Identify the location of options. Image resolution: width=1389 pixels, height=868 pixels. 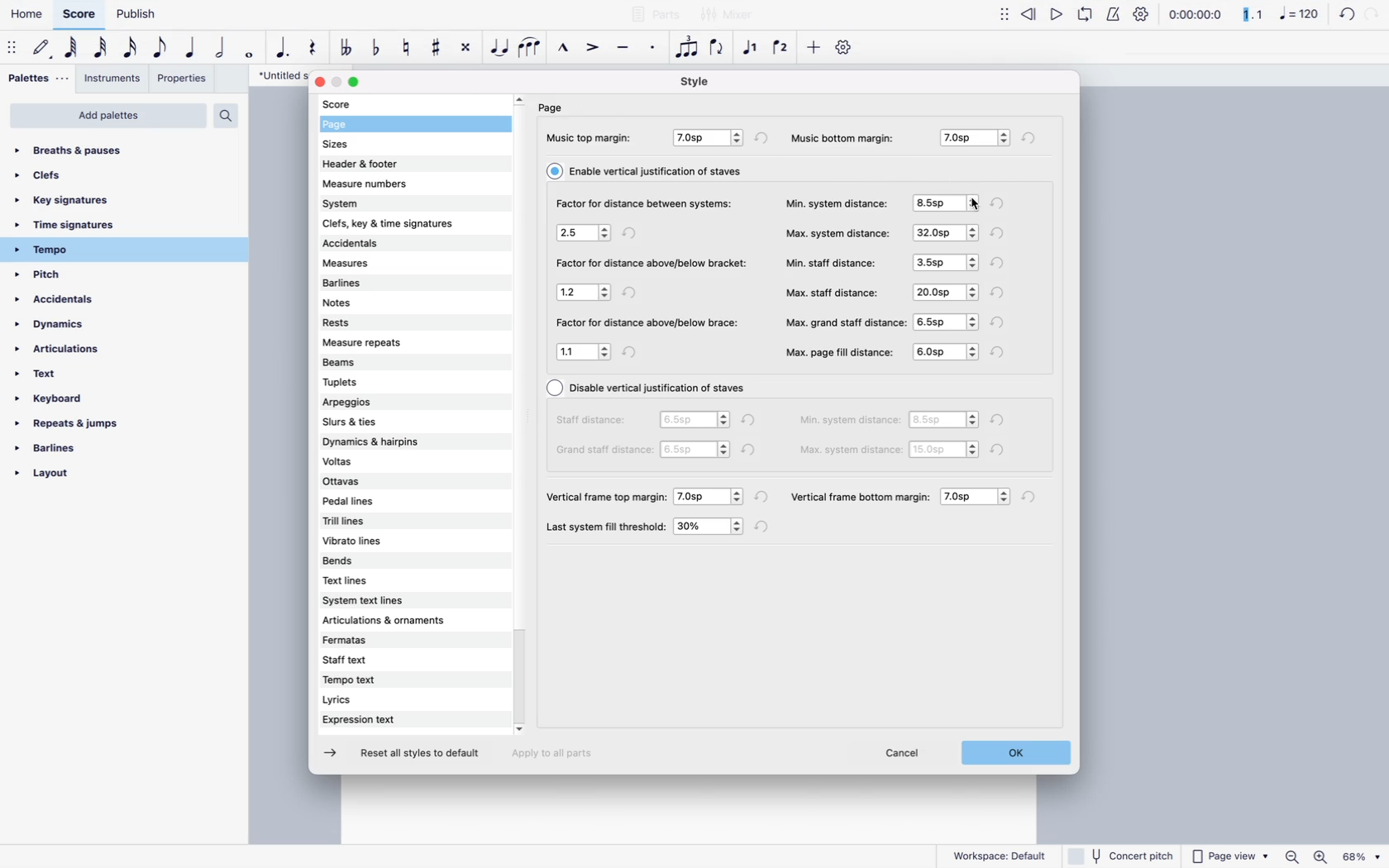
(949, 321).